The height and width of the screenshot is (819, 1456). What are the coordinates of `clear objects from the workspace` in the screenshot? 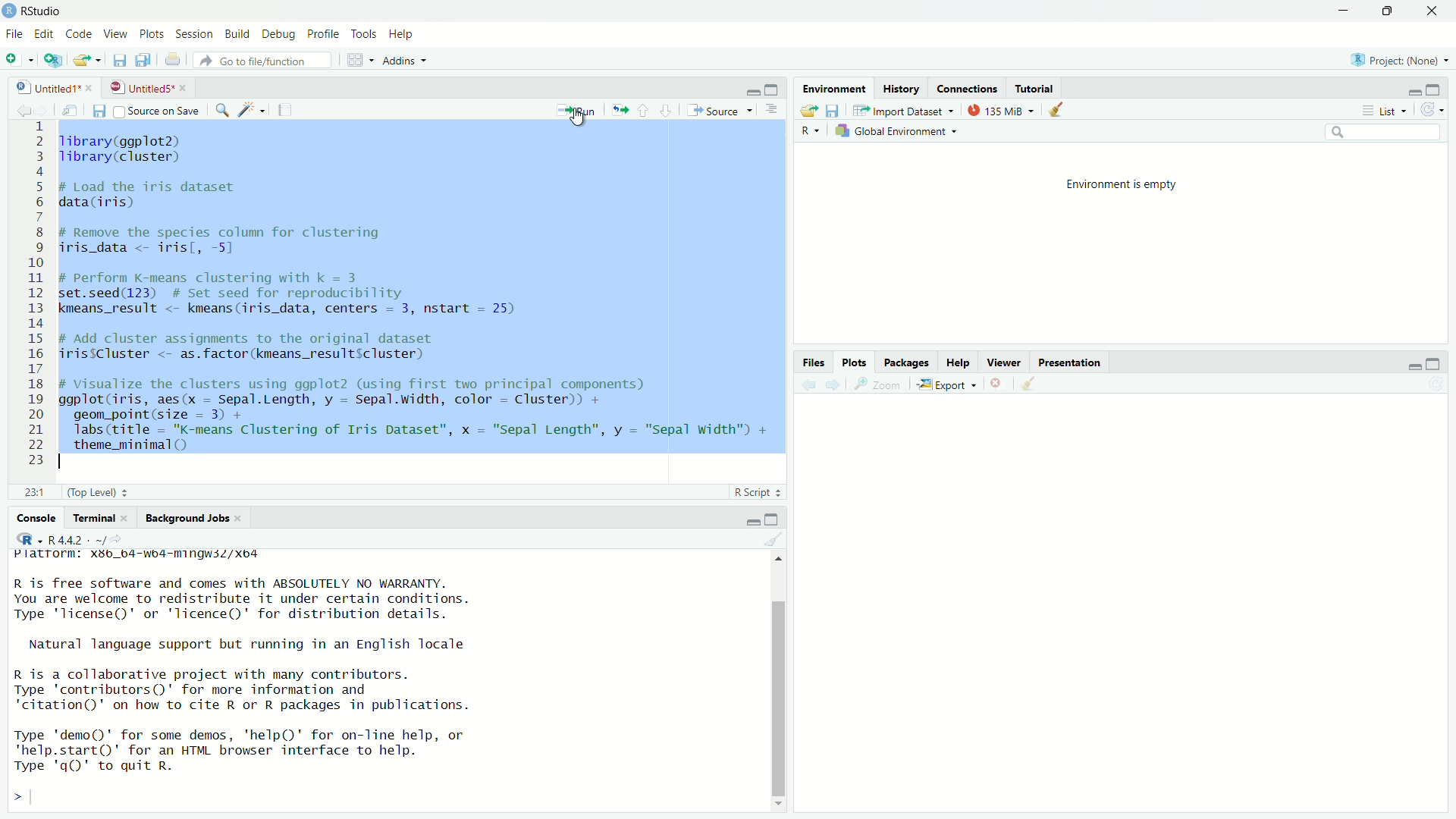 It's located at (1054, 110).